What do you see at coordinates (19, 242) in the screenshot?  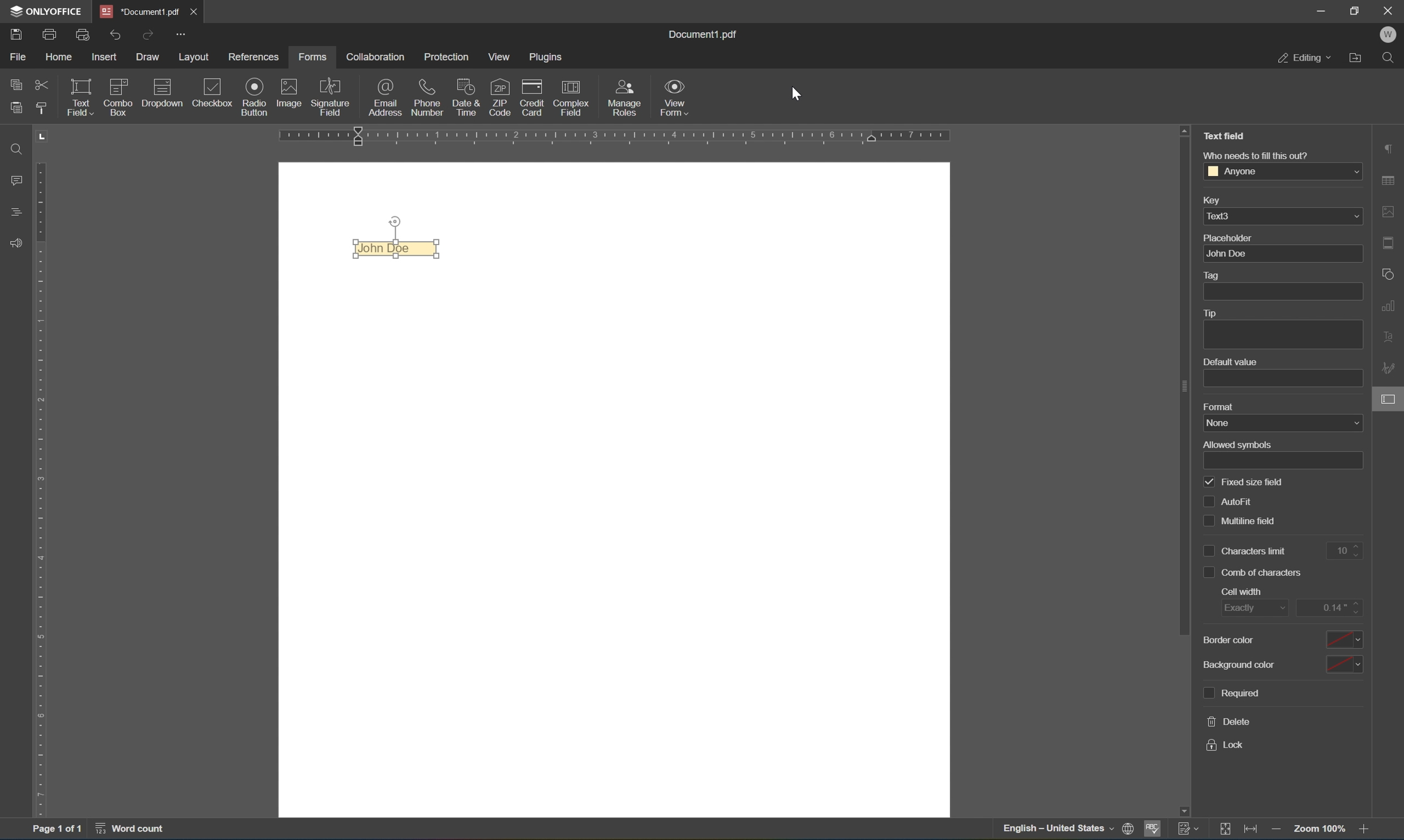 I see `feedback & support` at bounding box center [19, 242].